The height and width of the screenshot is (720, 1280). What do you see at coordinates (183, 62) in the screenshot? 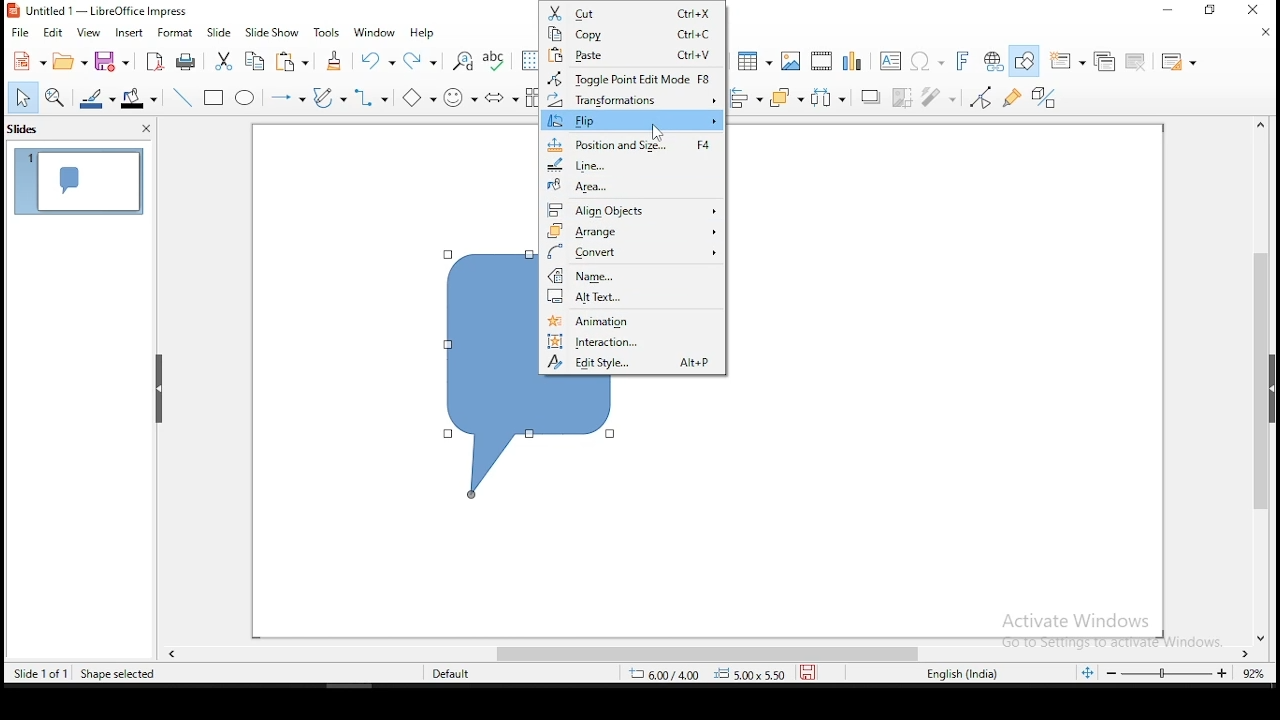
I see `print` at bounding box center [183, 62].